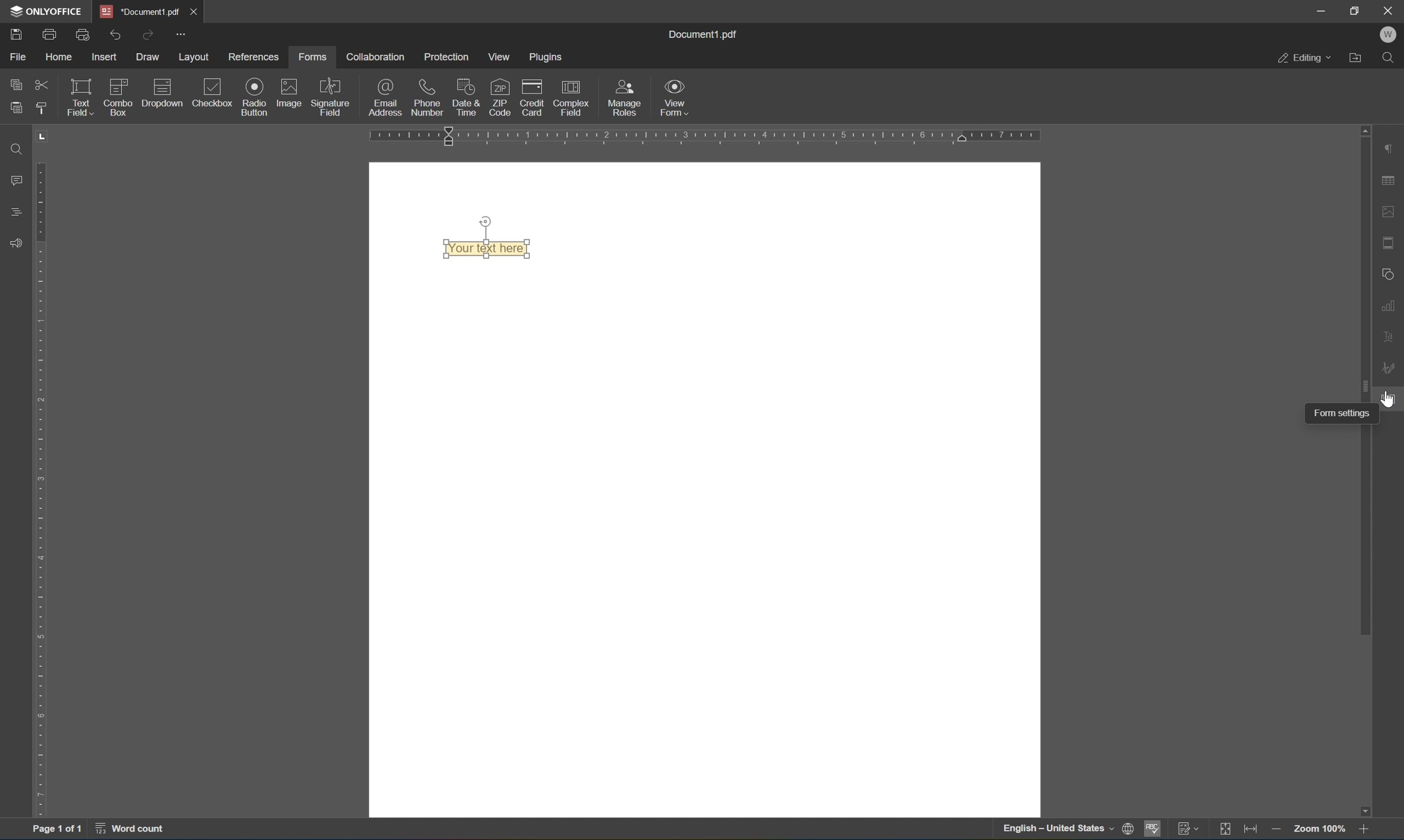 The height and width of the screenshot is (840, 1404). What do you see at coordinates (115, 36) in the screenshot?
I see `undo` at bounding box center [115, 36].